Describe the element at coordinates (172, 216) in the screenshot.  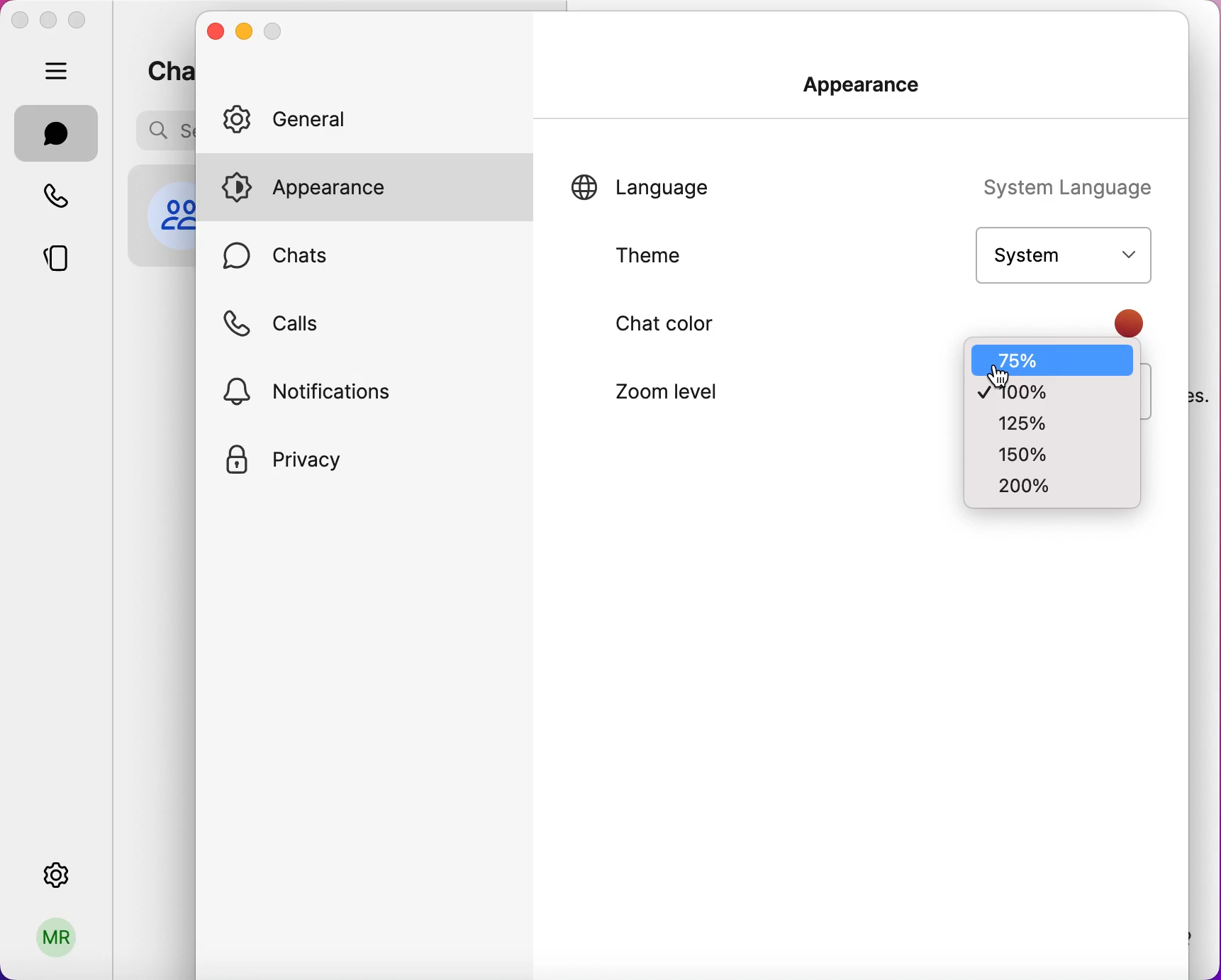
I see `profile picture` at that location.